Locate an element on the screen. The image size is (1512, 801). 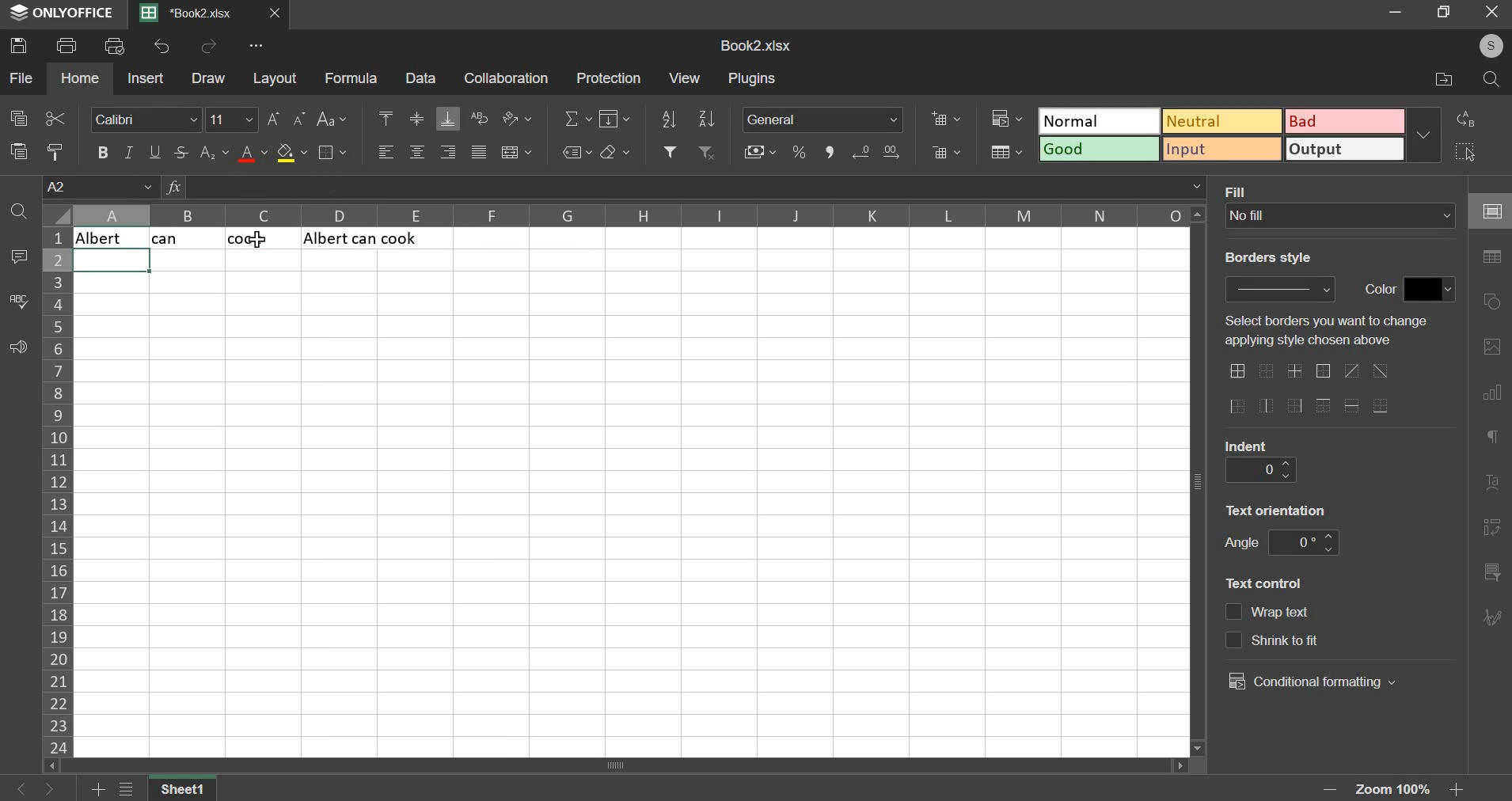
accounting style is located at coordinates (761, 151).